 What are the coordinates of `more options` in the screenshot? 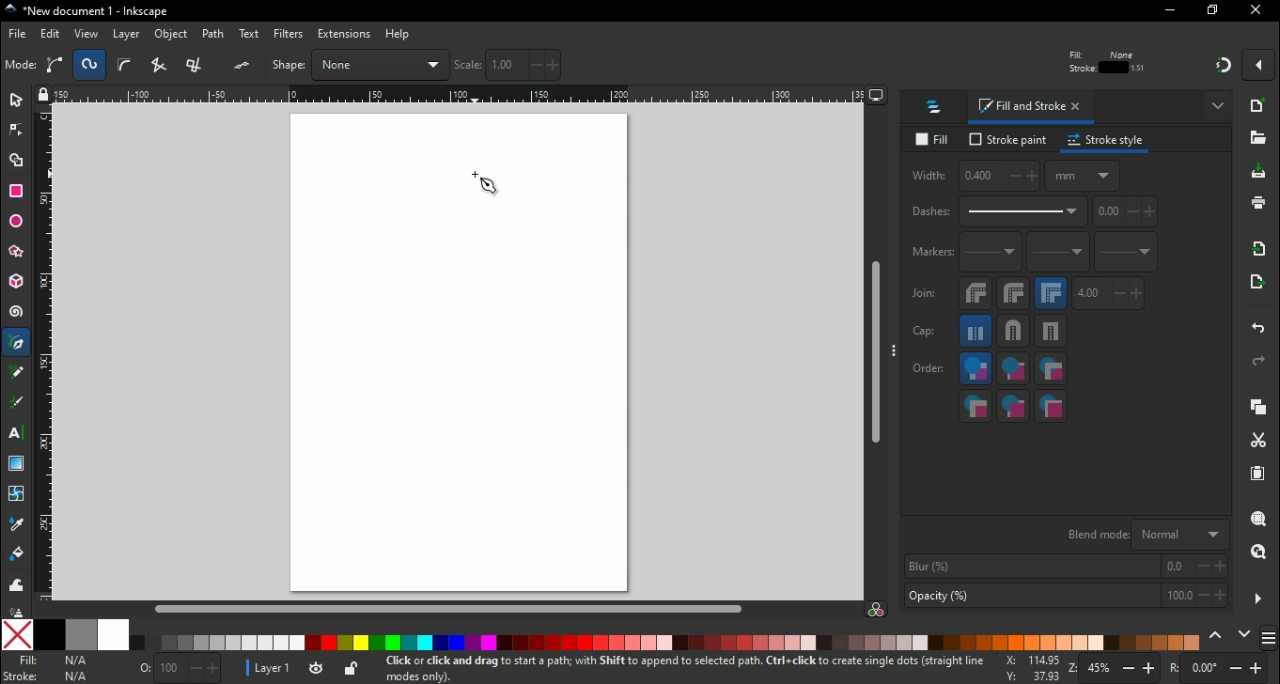 It's located at (1259, 598).